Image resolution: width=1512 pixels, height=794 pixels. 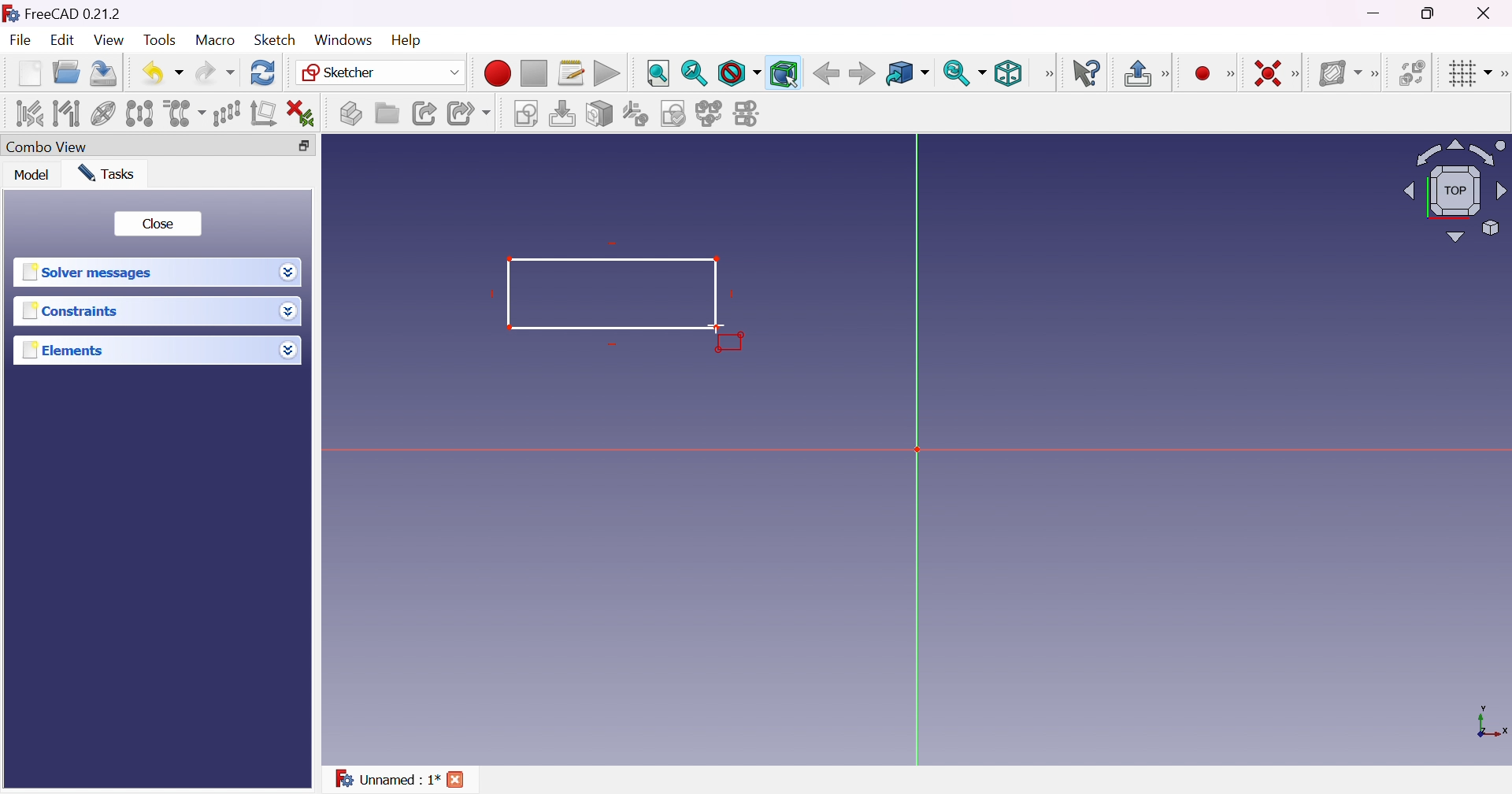 I want to click on Bounding box, so click(x=784, y=74).